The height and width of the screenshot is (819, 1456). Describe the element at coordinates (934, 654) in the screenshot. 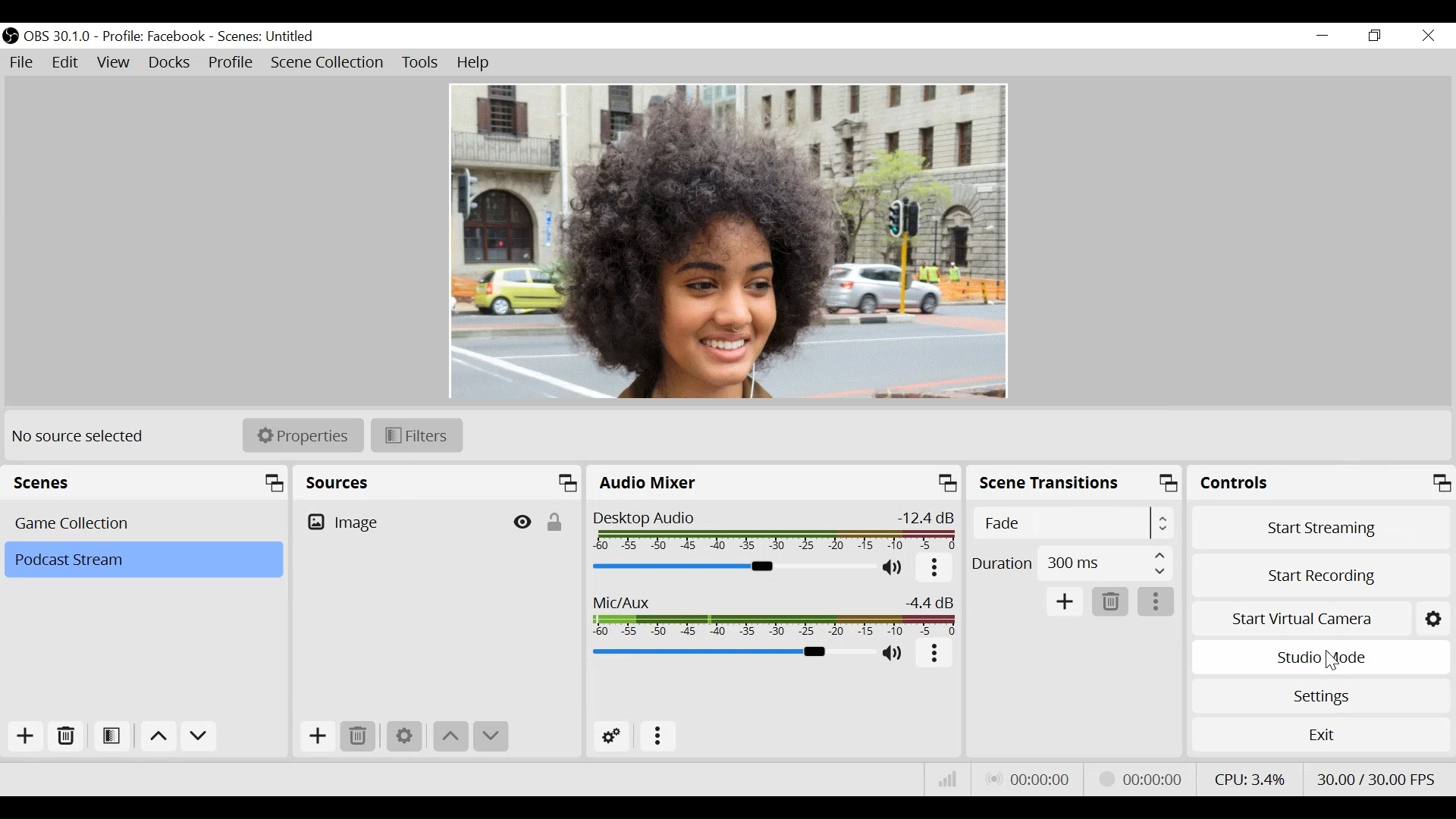

I see `more options` at that location.